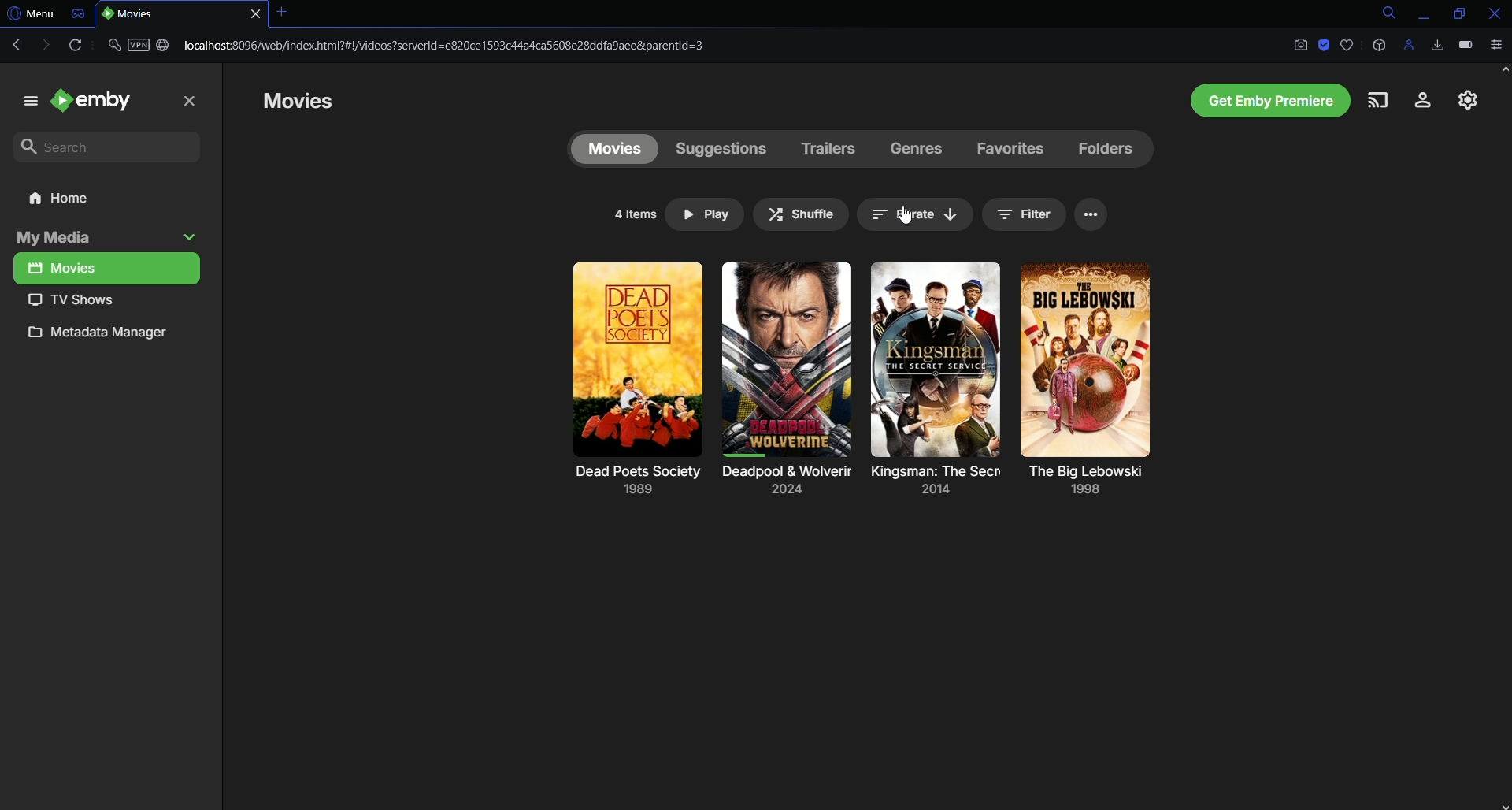 Image resolution: width=1512 pixels, height=810 pixels. Describe the element at coordinates (906, 215) in the screenshot. I see `cursor` at that location.